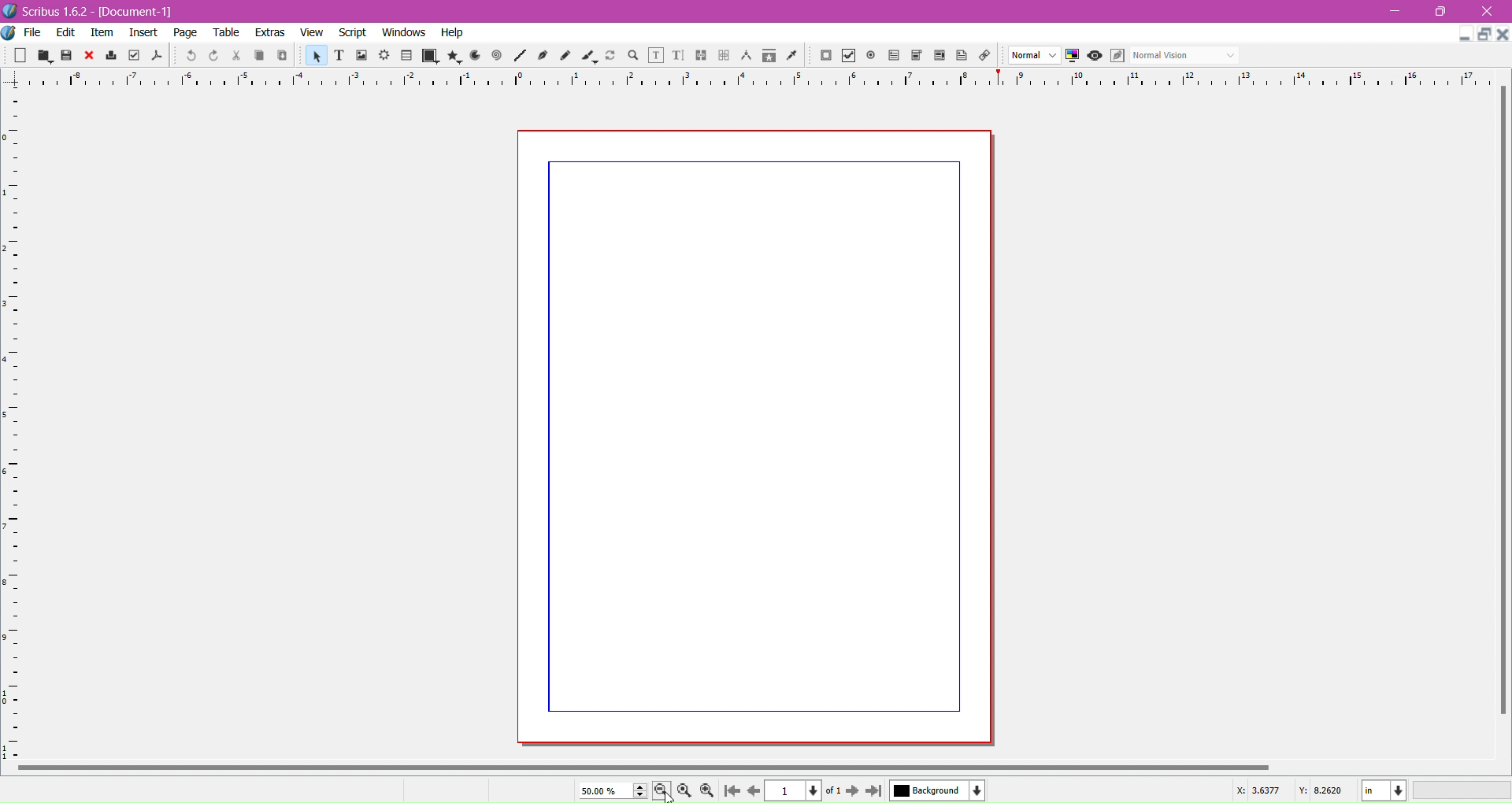 This screenshot has height=803, width=1512. I want to click on Spiral, so click(497, 56).